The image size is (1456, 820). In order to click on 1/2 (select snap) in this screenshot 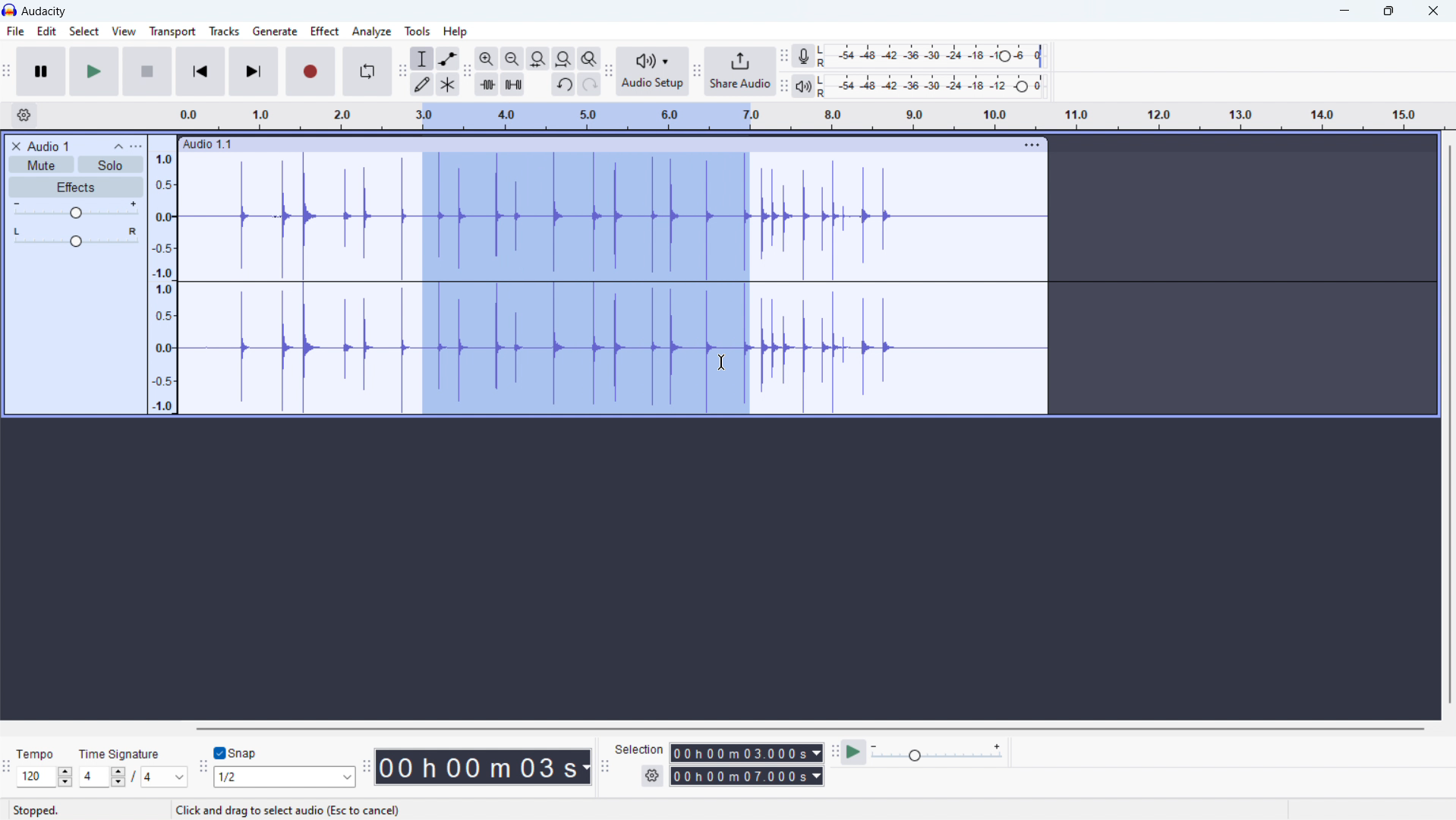, I will do `click(285, 777)`.